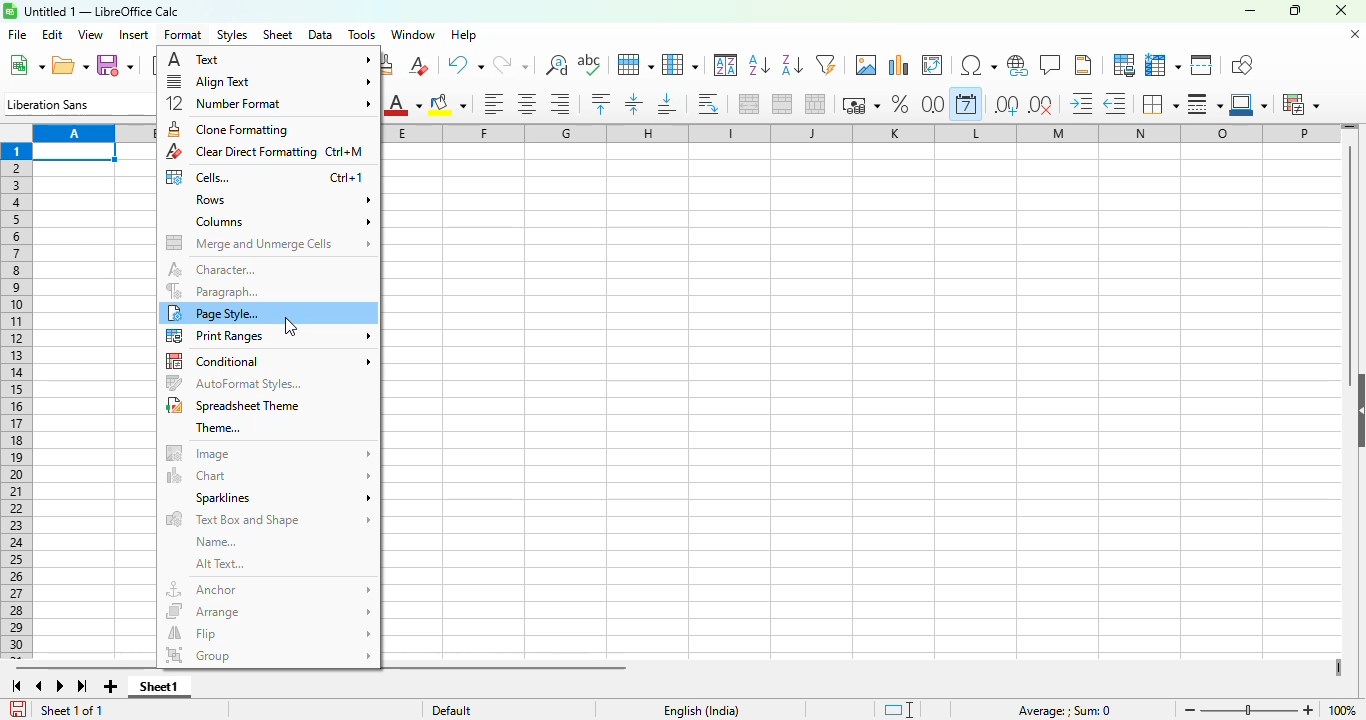 This screenshot has height=720, width=1366. Describe the element at coordinates (184, 35) in the screenshot. I see `format` at that location.